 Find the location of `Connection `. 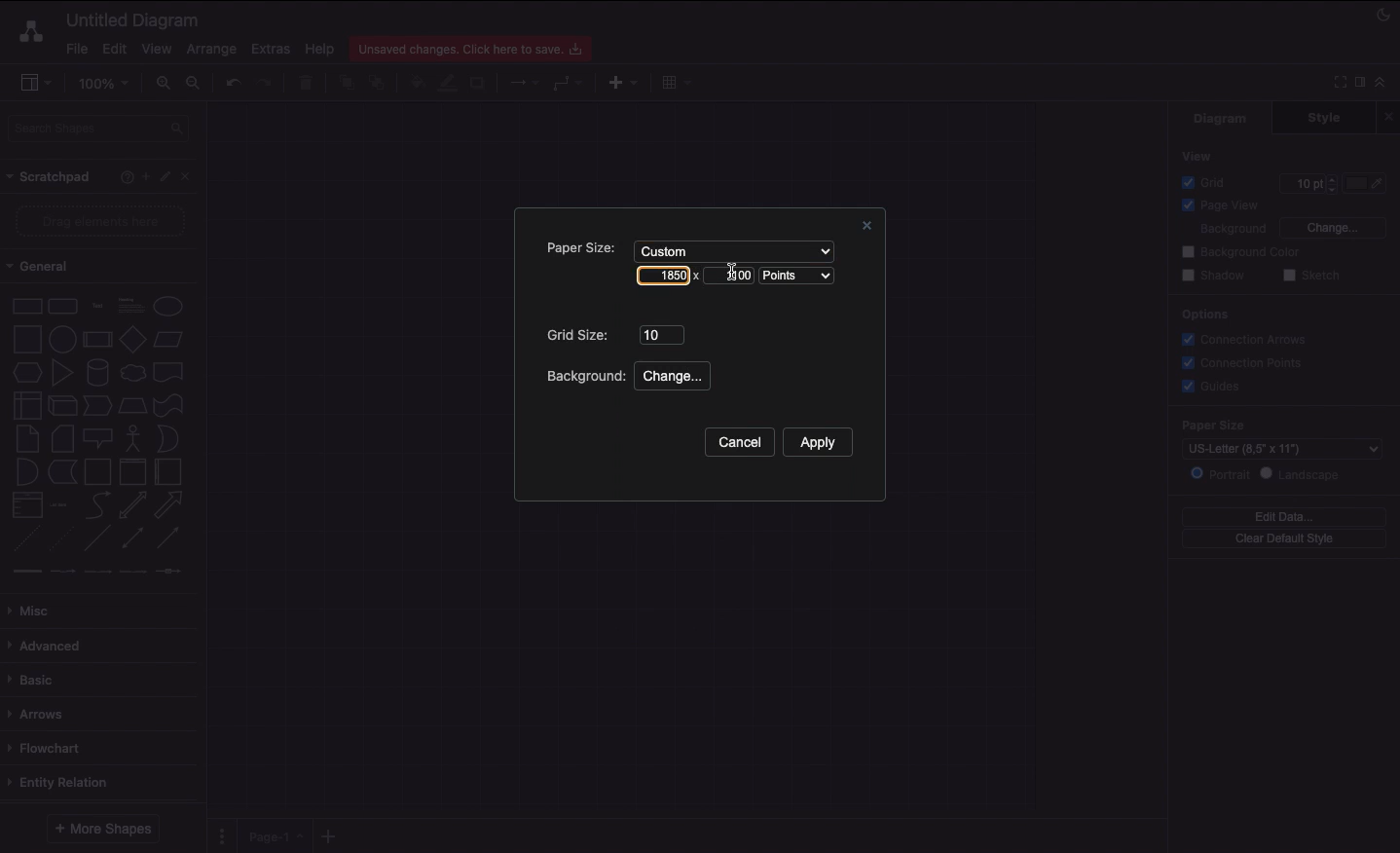

Connection  is located at coordinates (525, 83).